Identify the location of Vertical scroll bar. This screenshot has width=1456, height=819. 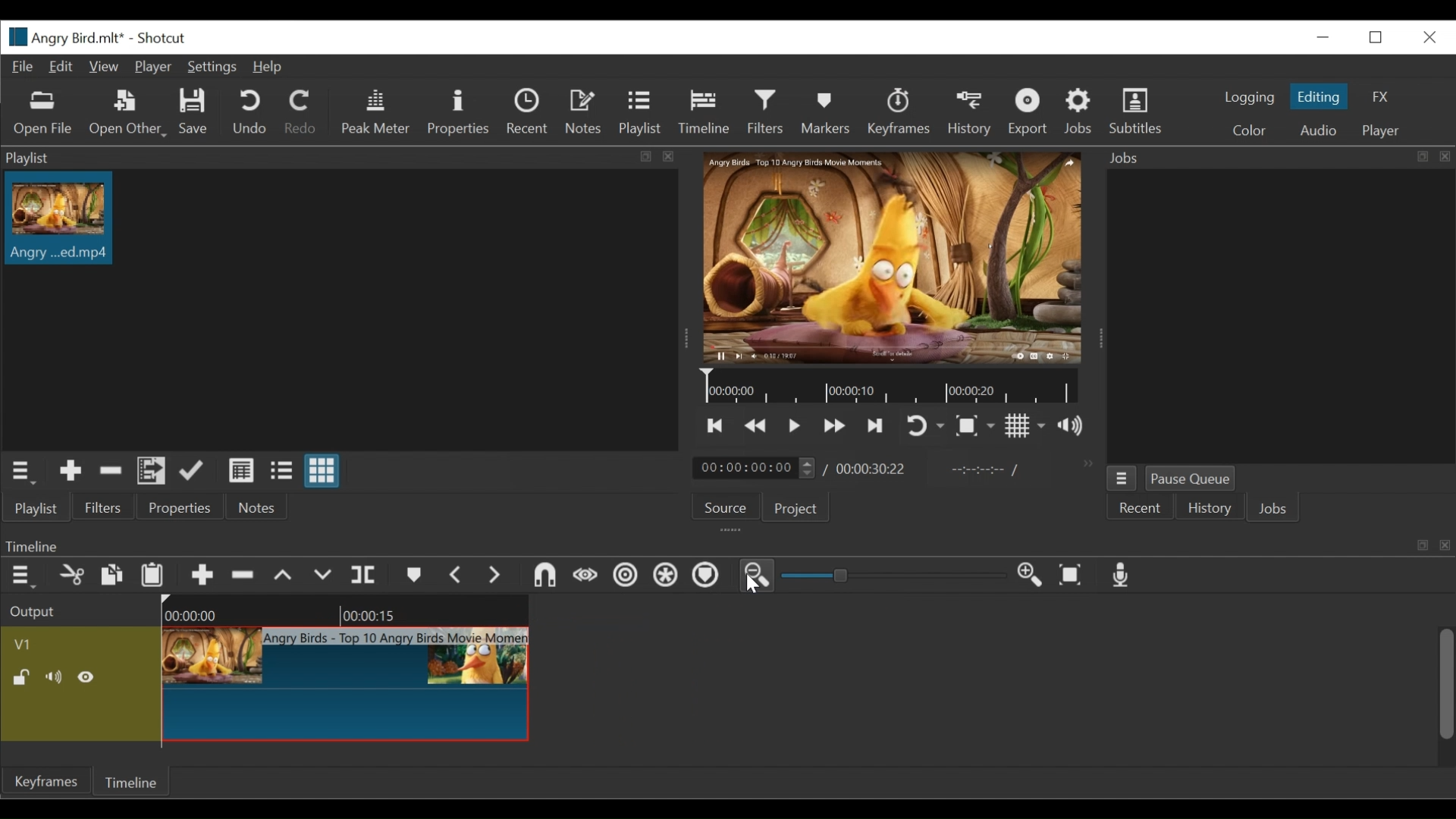
(1445, 683).